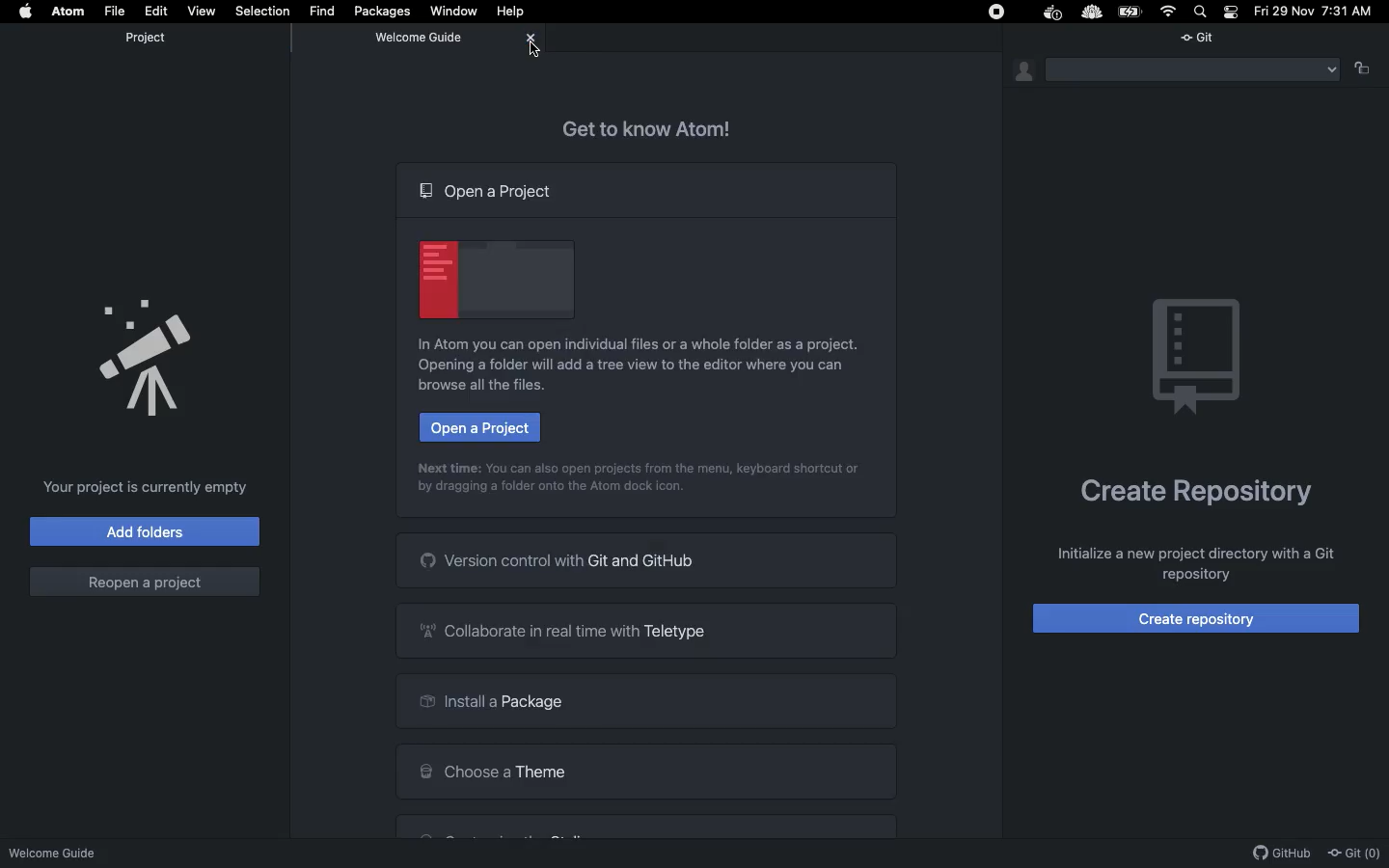 The image size is (1389, 868). What do you see at coordinates (641, 482) in the screenshot?
I see `Next time: You can also open projects from the menu, keyboard shortcut or
by dragging a folder onto the Atom dock icon.` at bounding box center [641, 482].